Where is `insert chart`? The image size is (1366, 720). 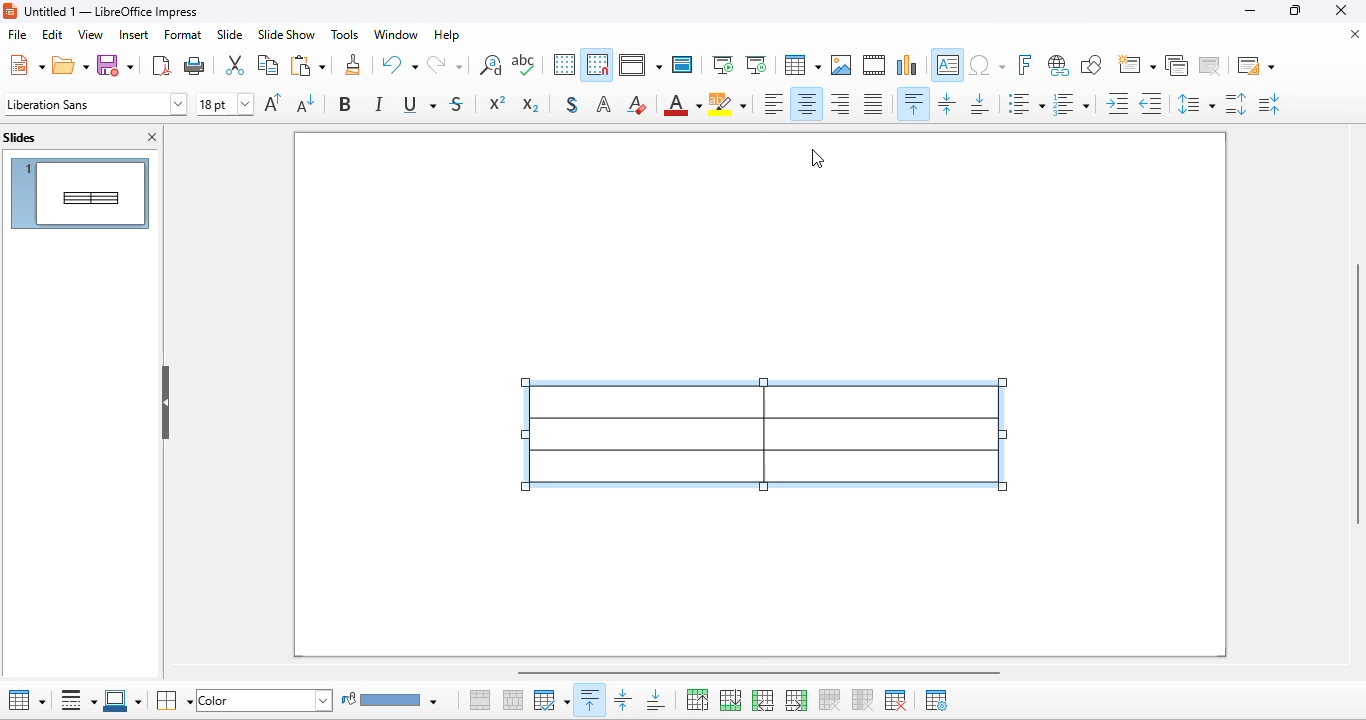 insert chart is located at coordinates (908, 65).